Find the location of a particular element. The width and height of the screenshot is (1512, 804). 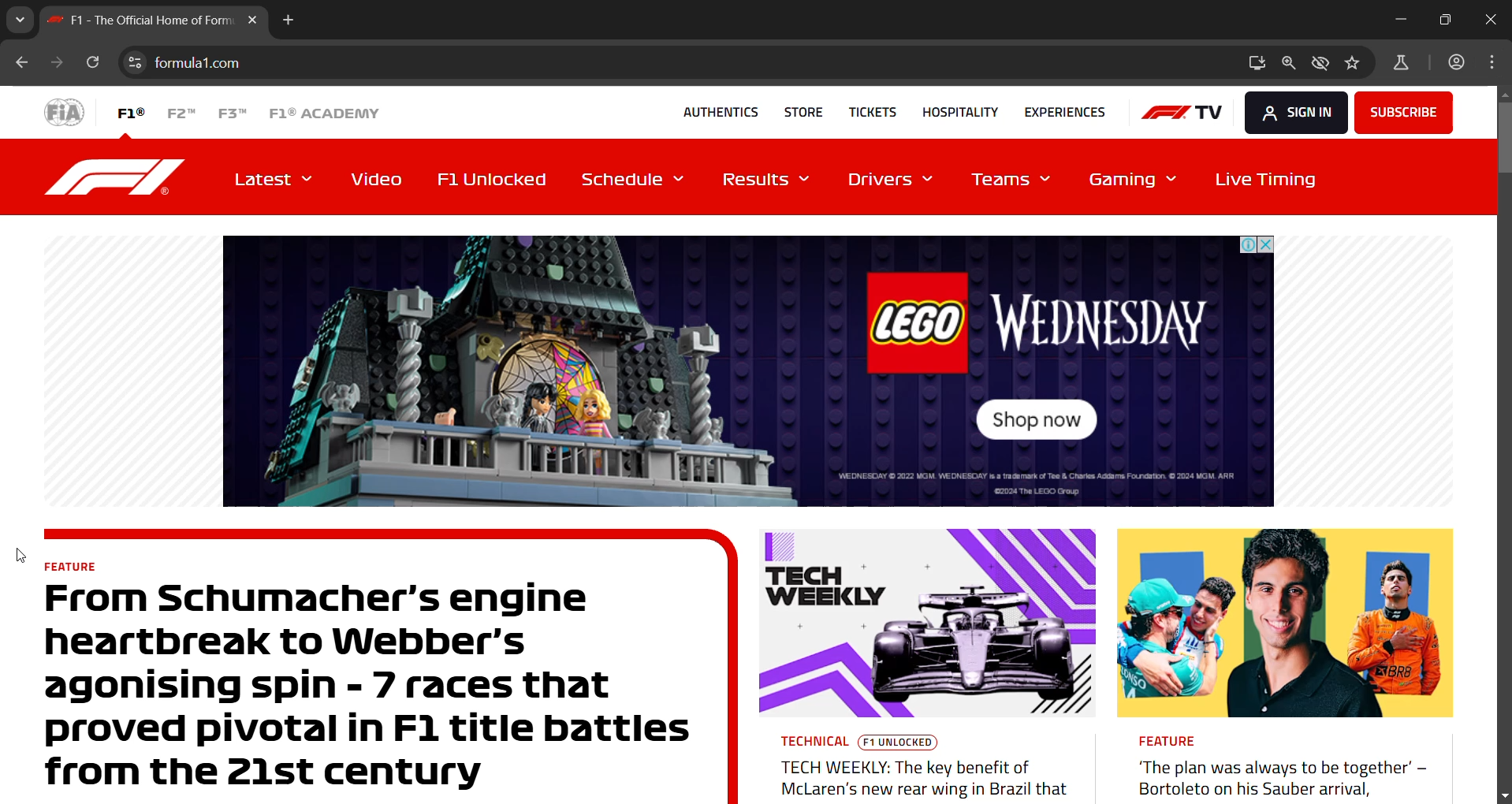

minimize is located at coordinates (1402, 20).